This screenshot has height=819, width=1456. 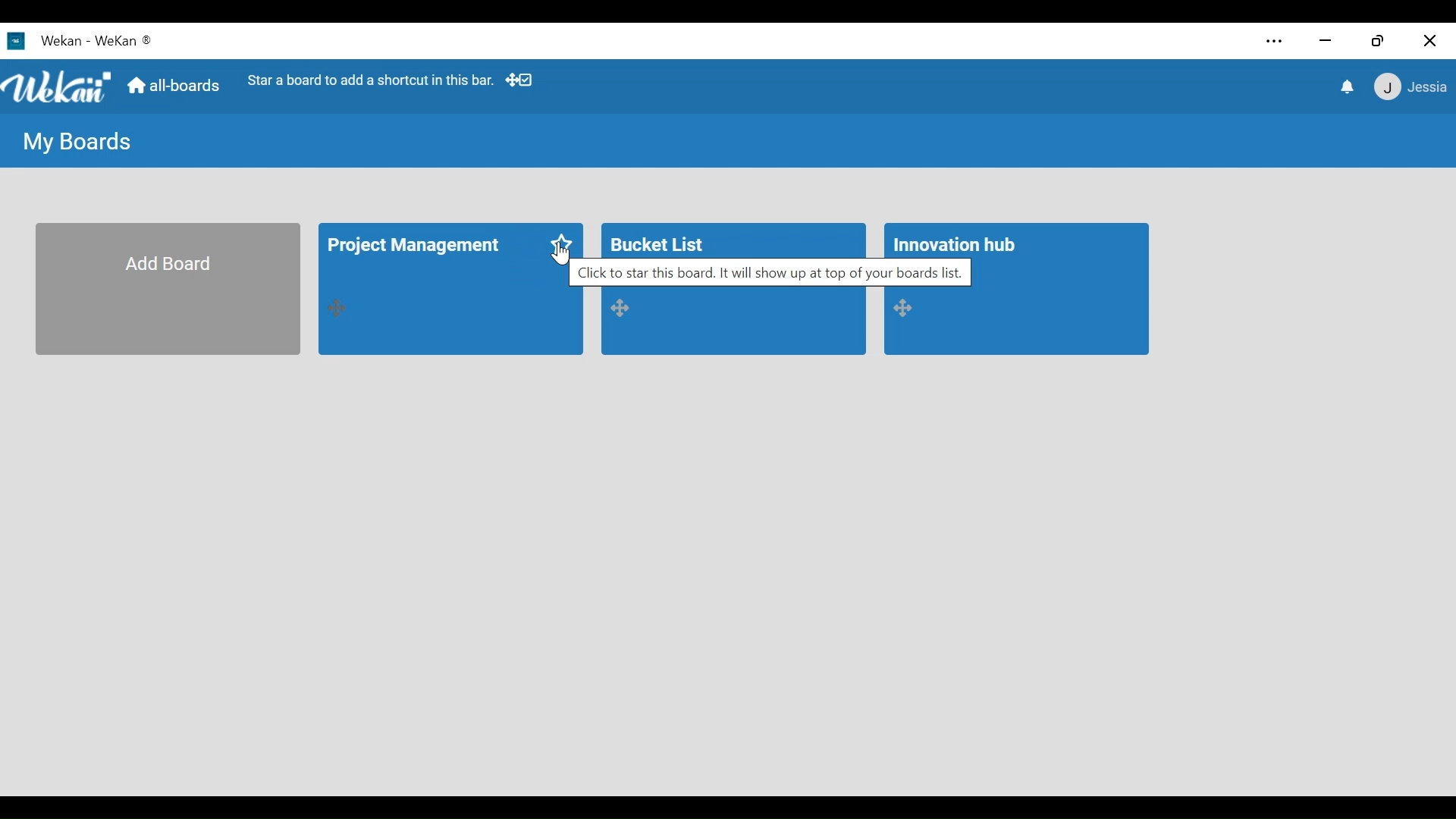 What do you see at coordinates (45, 40) in the screenshot?
I see `Wekan Desktop icon` at bounding box center [45, 40].